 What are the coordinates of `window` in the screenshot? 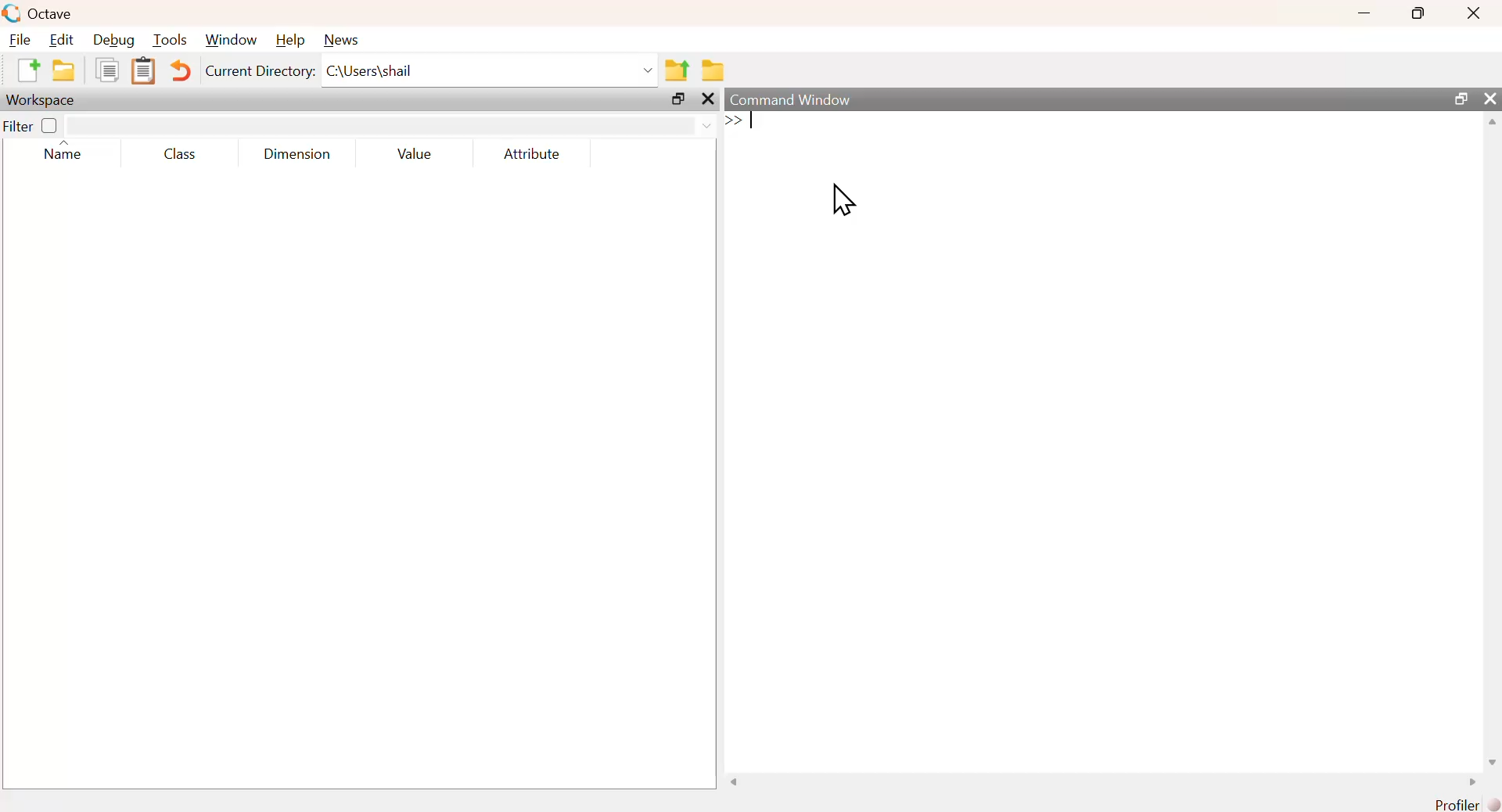 It's located at (231, 41).